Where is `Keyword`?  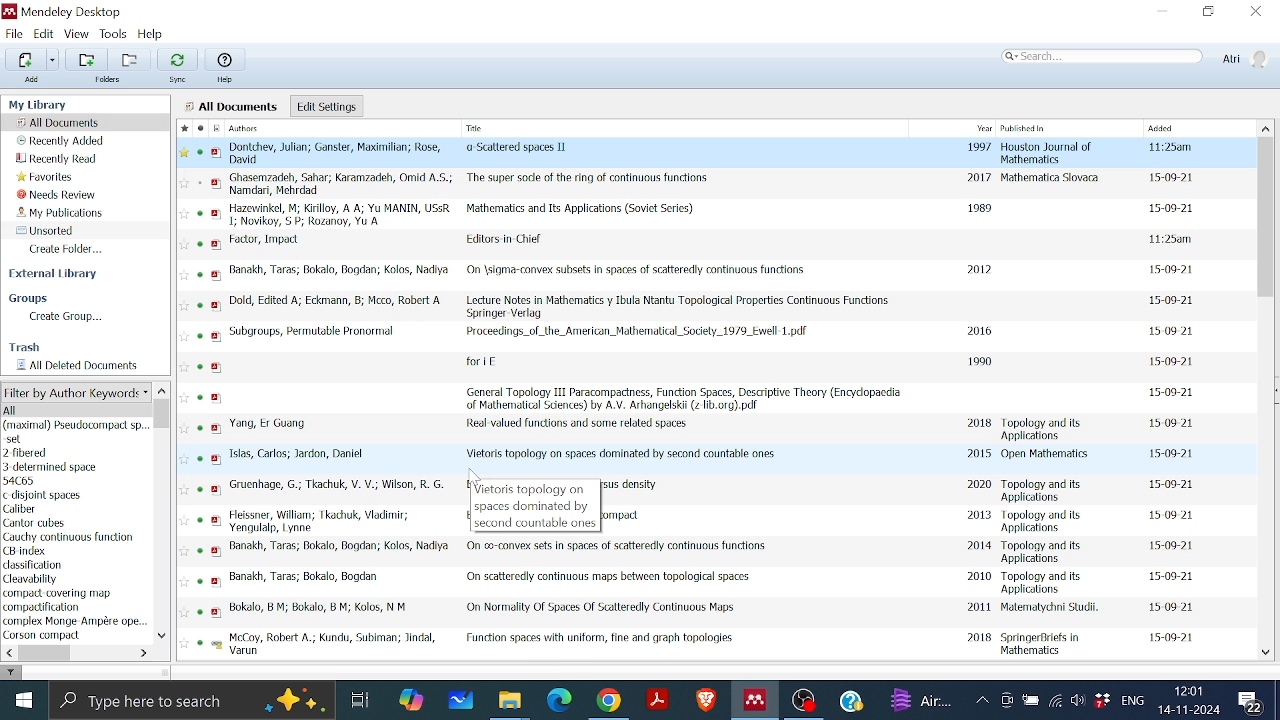 Keyword is located at coordinates (74, 426).